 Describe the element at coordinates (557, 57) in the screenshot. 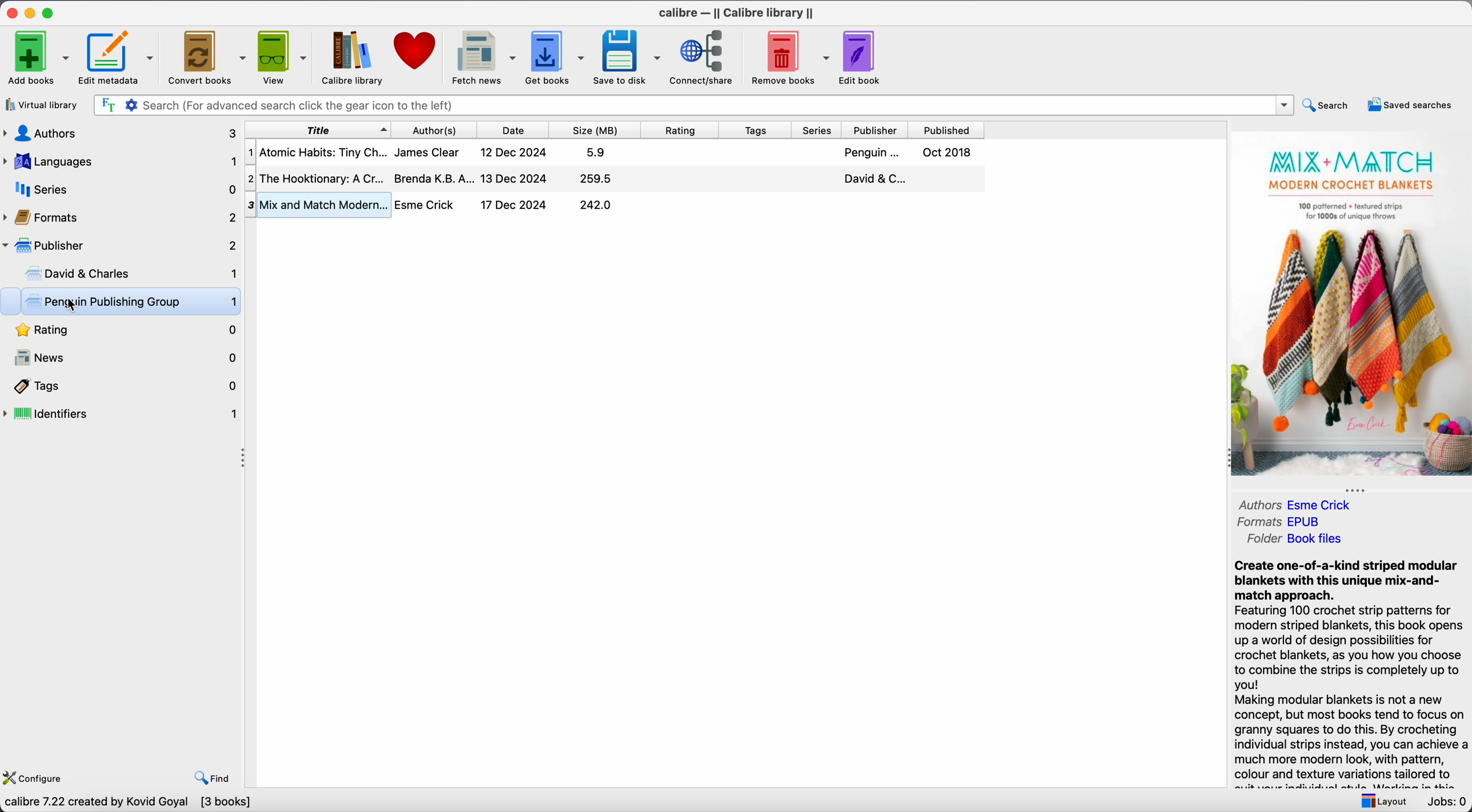

I see `get books` at that location.